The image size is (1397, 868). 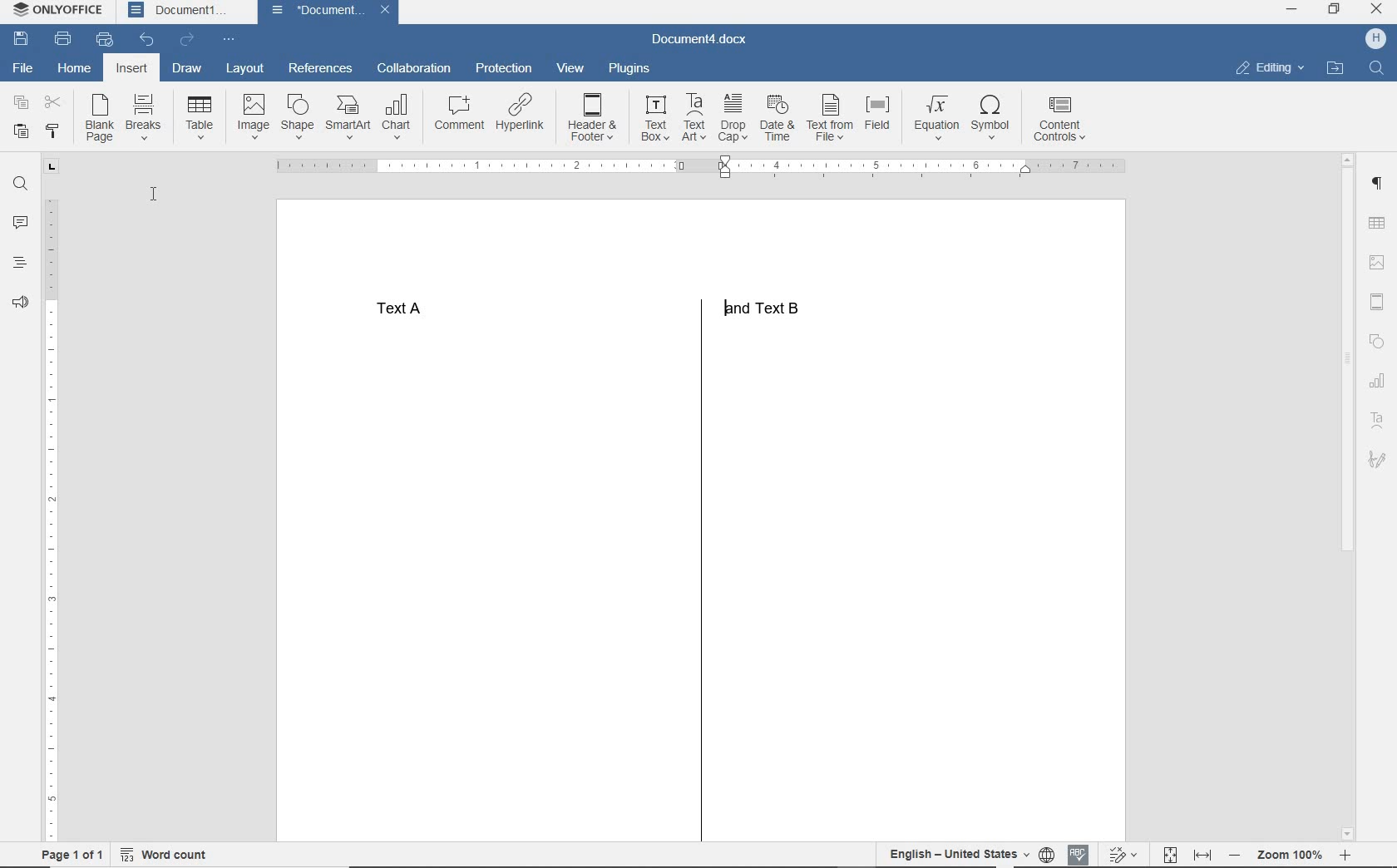 I want to click on QUICK PRINT, so click(x=105, y=41).